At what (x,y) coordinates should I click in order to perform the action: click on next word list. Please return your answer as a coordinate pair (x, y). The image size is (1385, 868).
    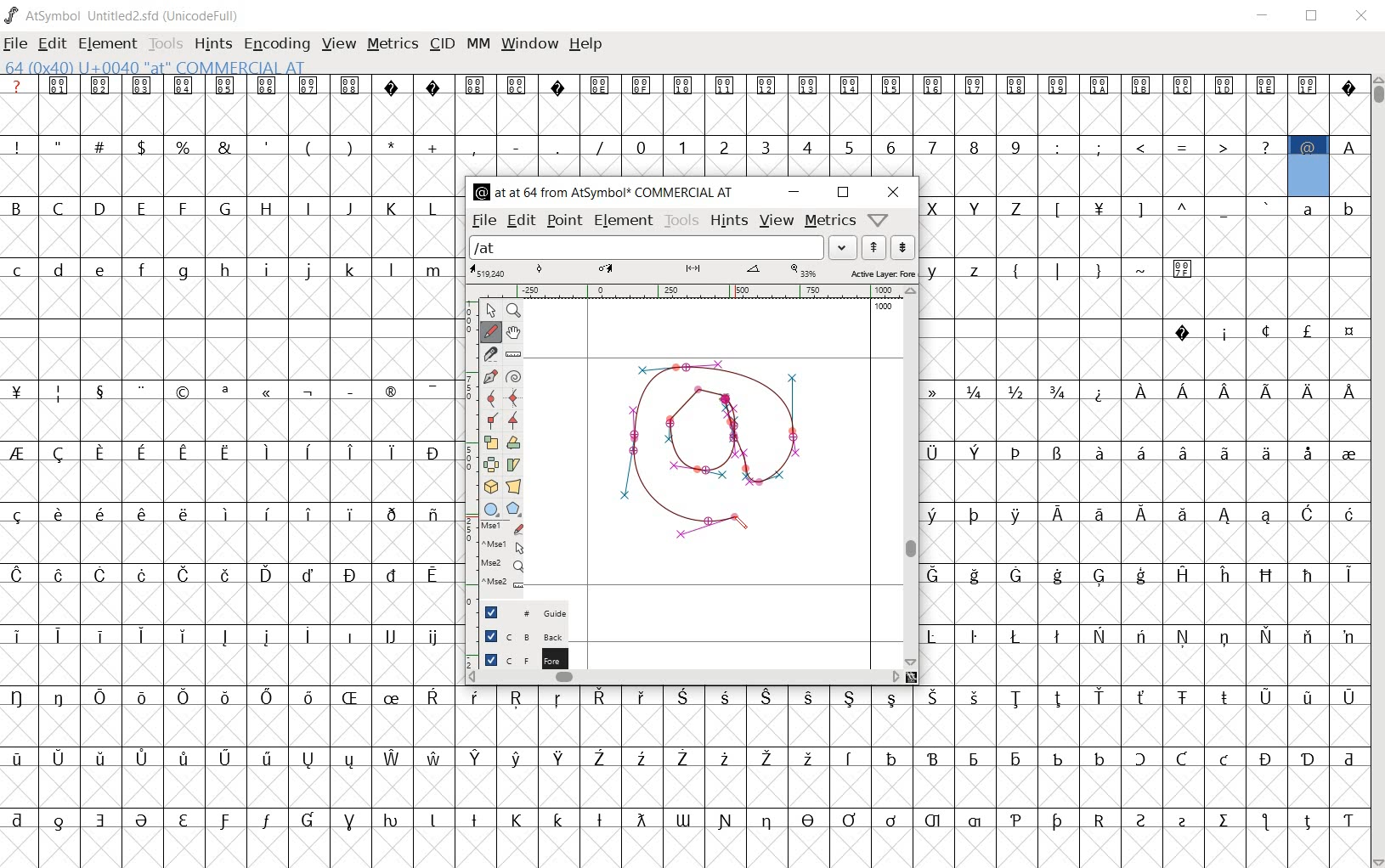
    Looking at the image, I should click on (902, 246).